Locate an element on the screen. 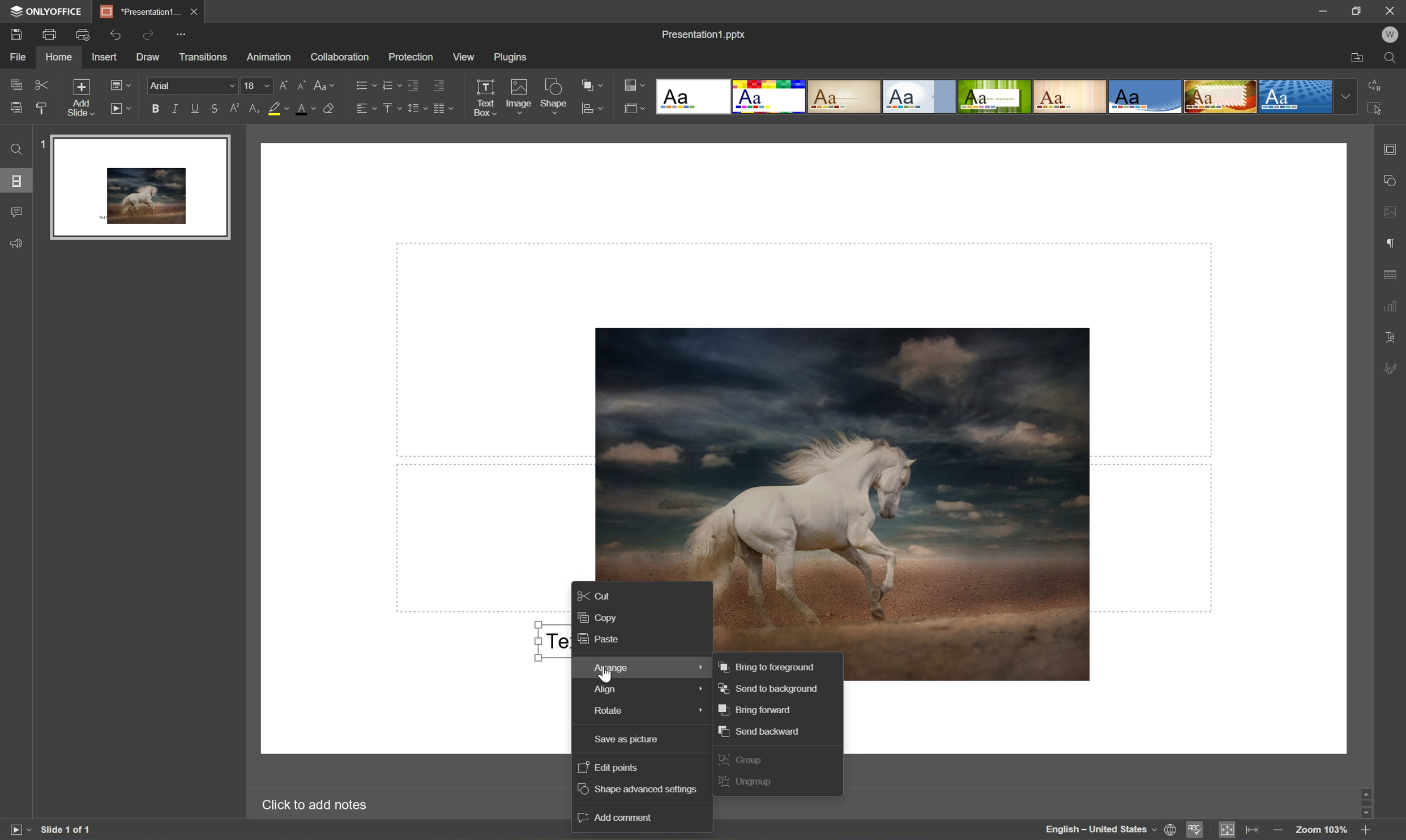 The image size is (1406, 840). Edit points is located at coordinates (608, 768).